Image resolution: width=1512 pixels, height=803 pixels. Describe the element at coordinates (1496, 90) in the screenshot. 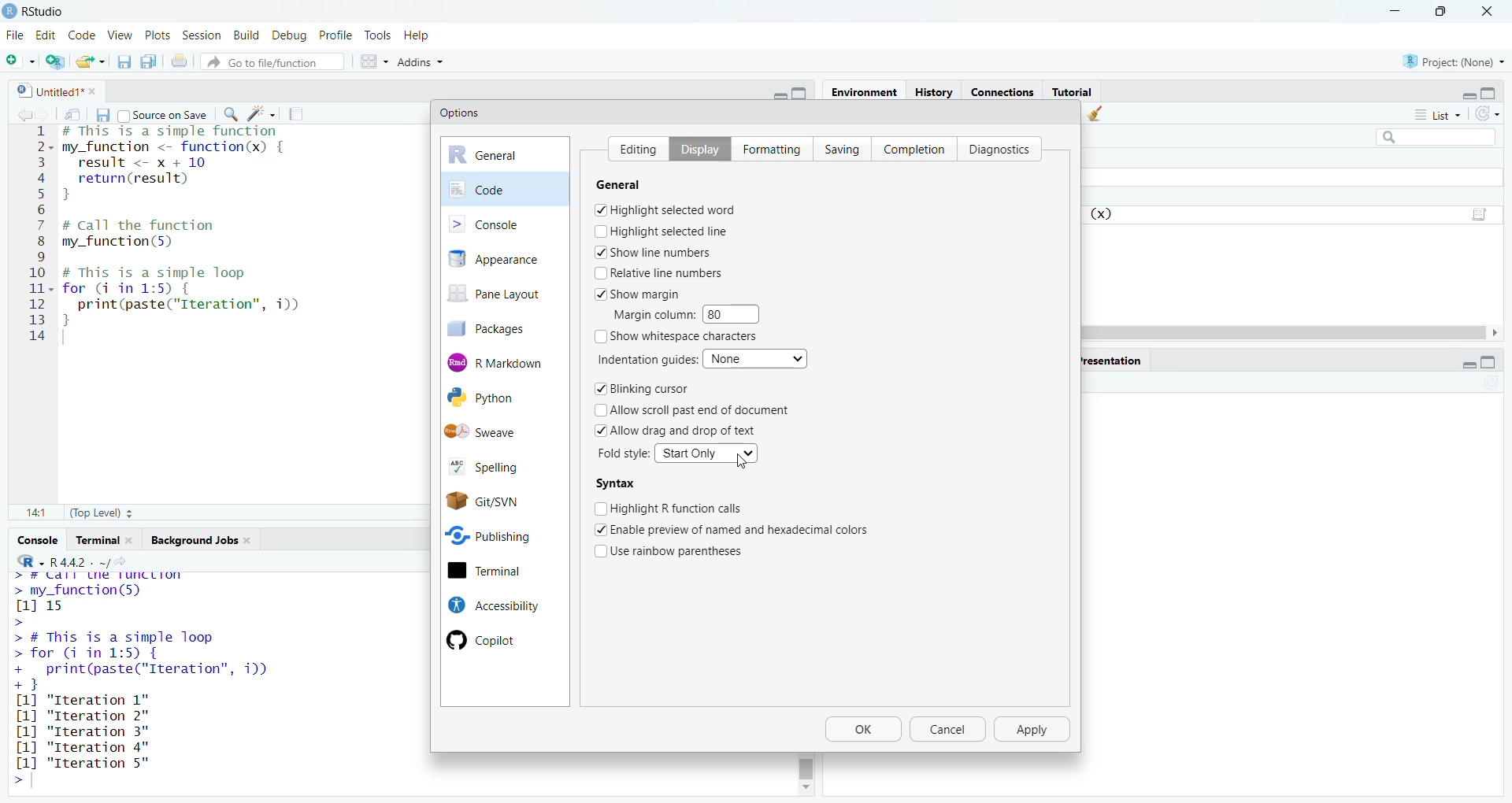

I see `maximize` at that location.